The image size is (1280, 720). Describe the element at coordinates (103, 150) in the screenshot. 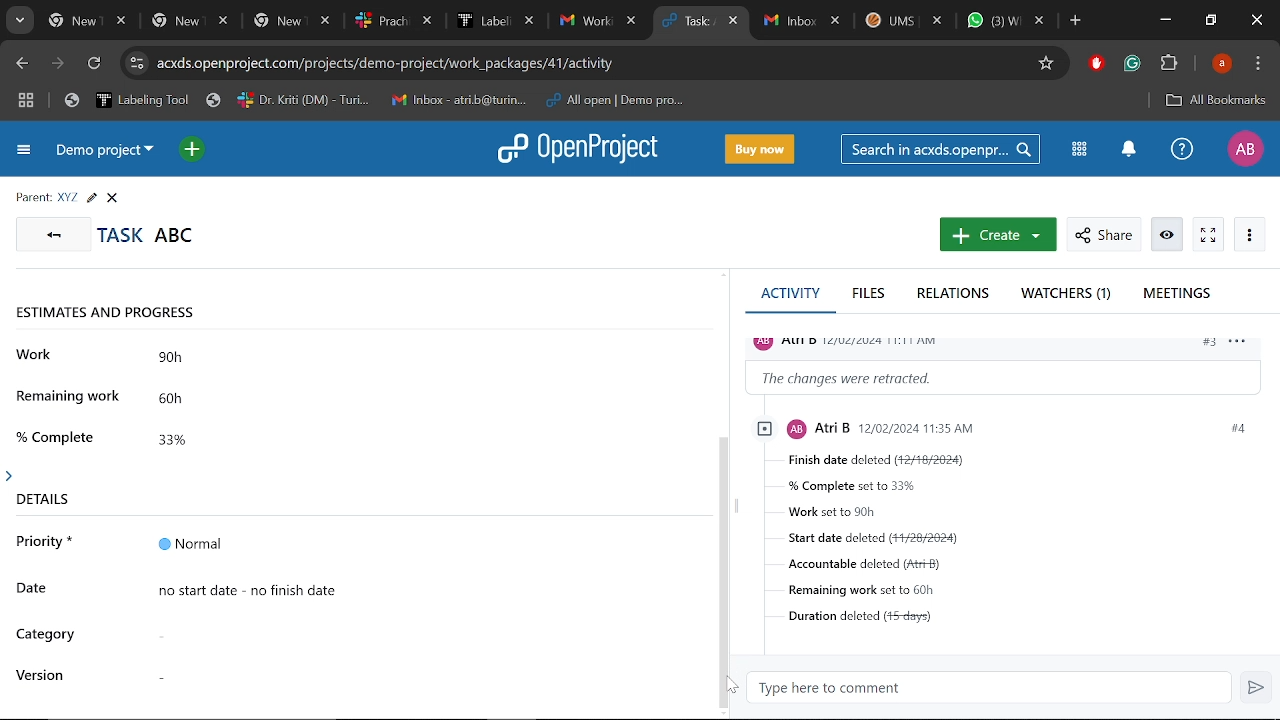

I see `Current project` at that location.